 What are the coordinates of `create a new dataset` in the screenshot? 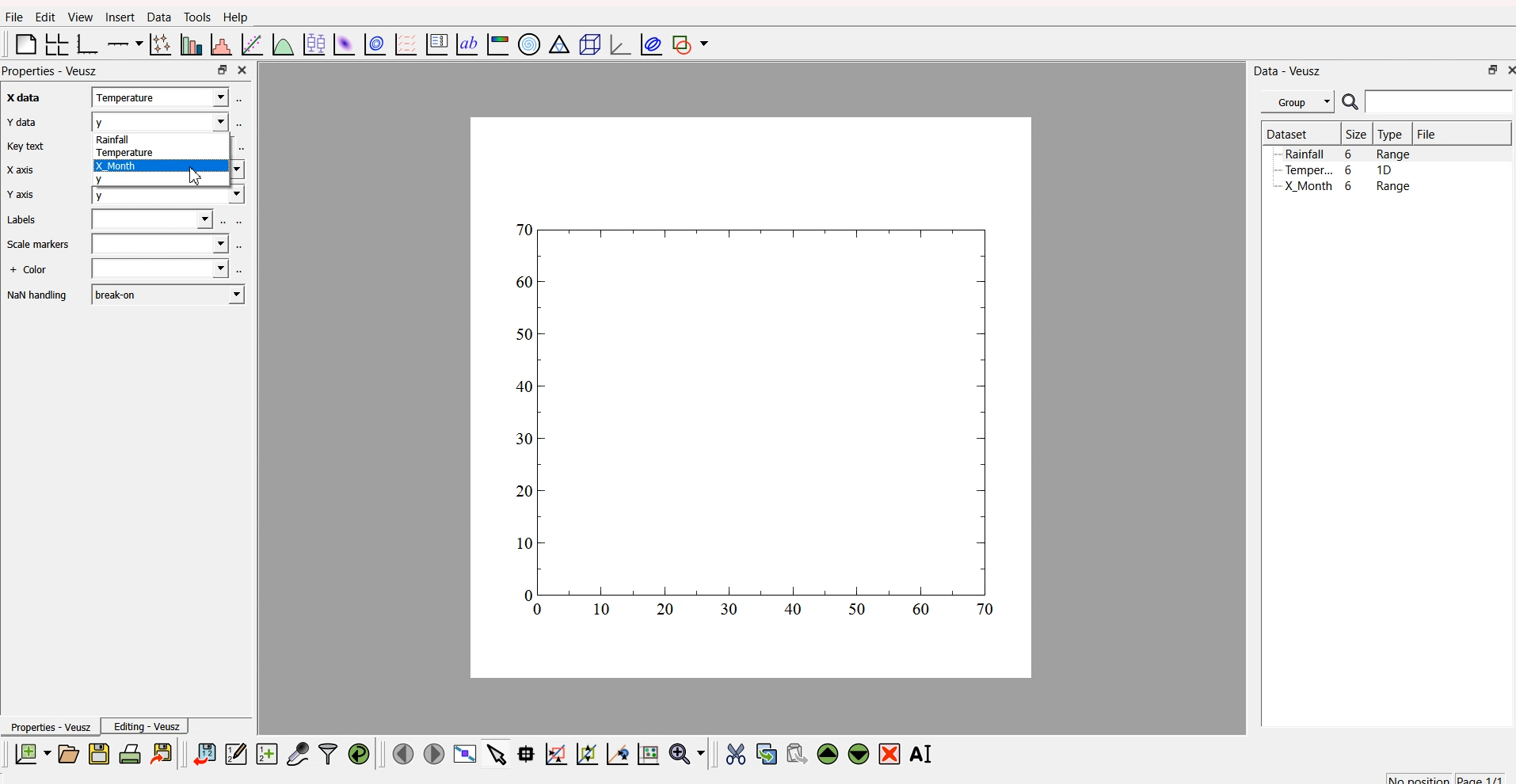 It's located at (266, 753).